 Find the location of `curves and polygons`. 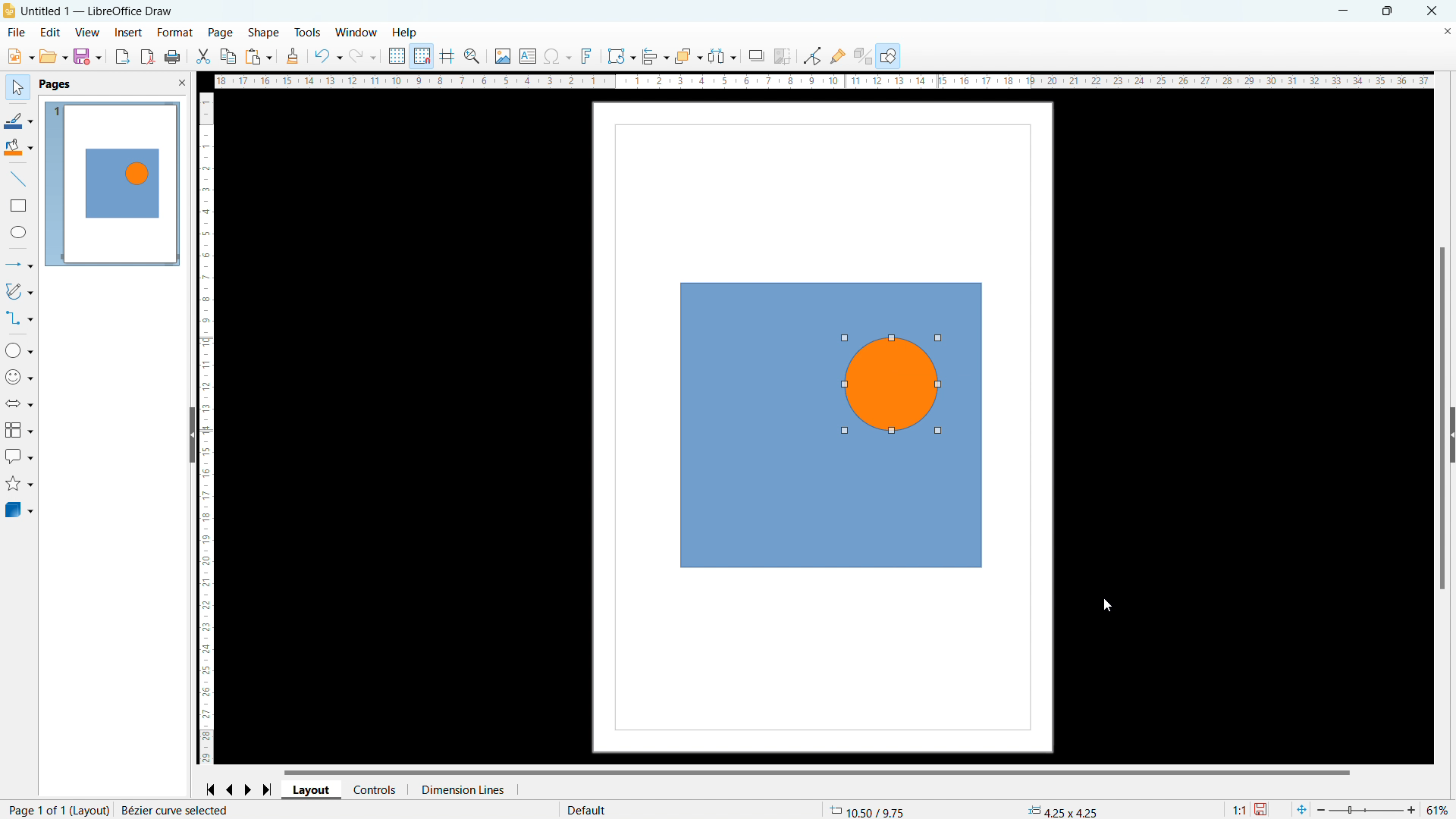

curves and polygons is located at coordinates (19, 291).